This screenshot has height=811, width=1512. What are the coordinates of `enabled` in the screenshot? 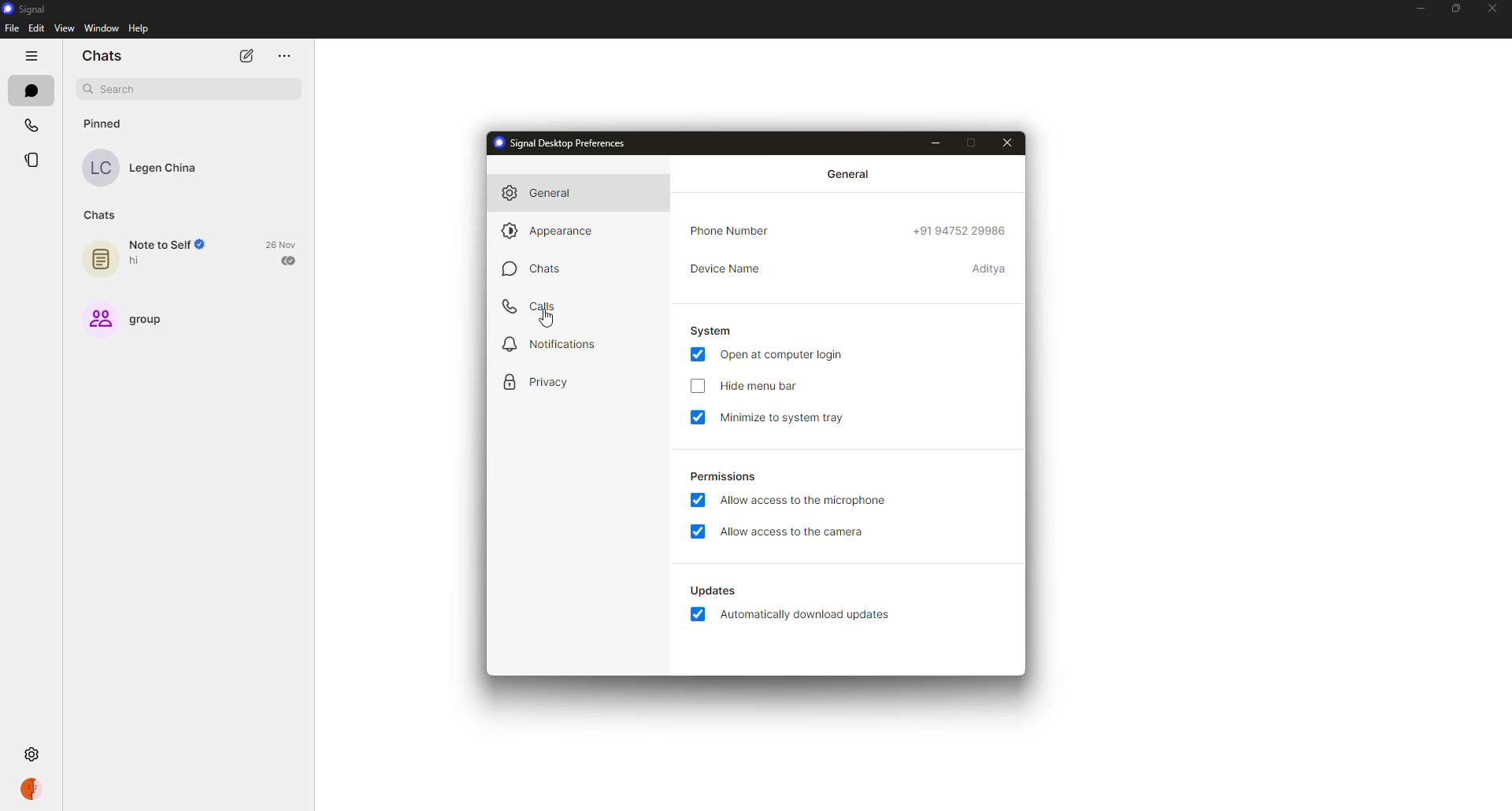 It's located at (702, 500).